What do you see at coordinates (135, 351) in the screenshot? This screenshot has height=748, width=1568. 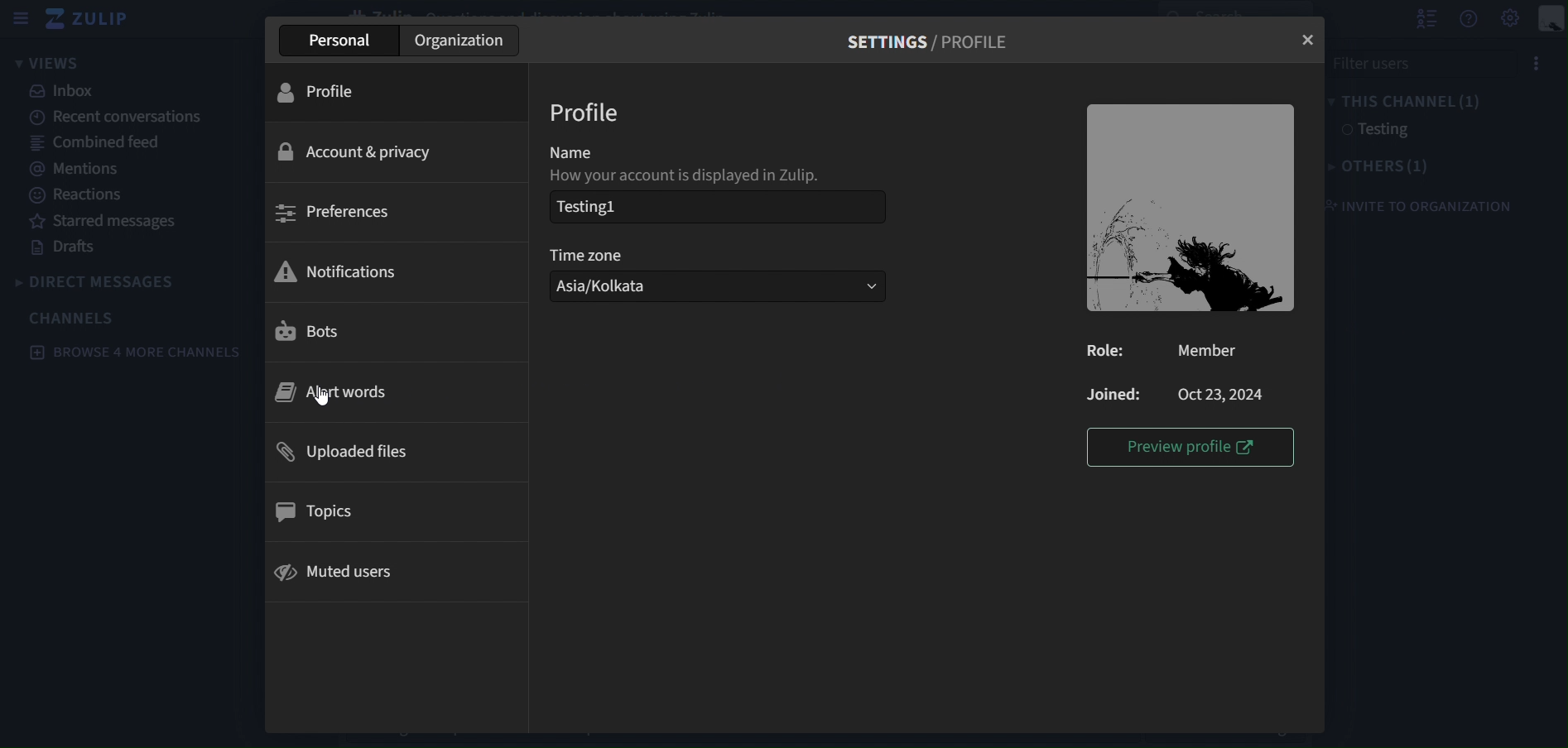 I see `browse 4 more channels` at bounding box center [135, 351].